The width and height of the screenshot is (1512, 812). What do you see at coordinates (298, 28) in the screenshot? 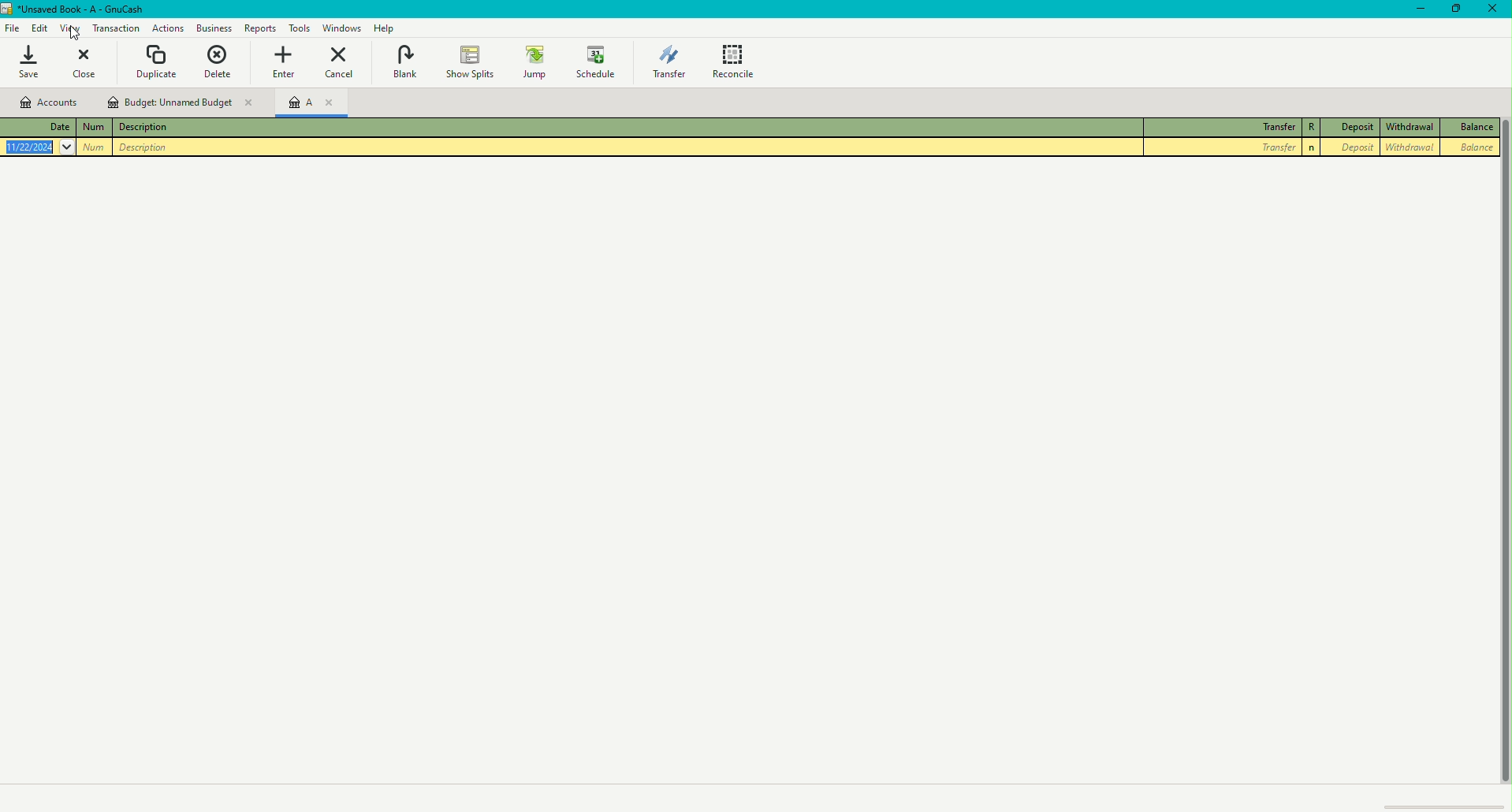
I see `Tools` at bounding box center [298, 28].